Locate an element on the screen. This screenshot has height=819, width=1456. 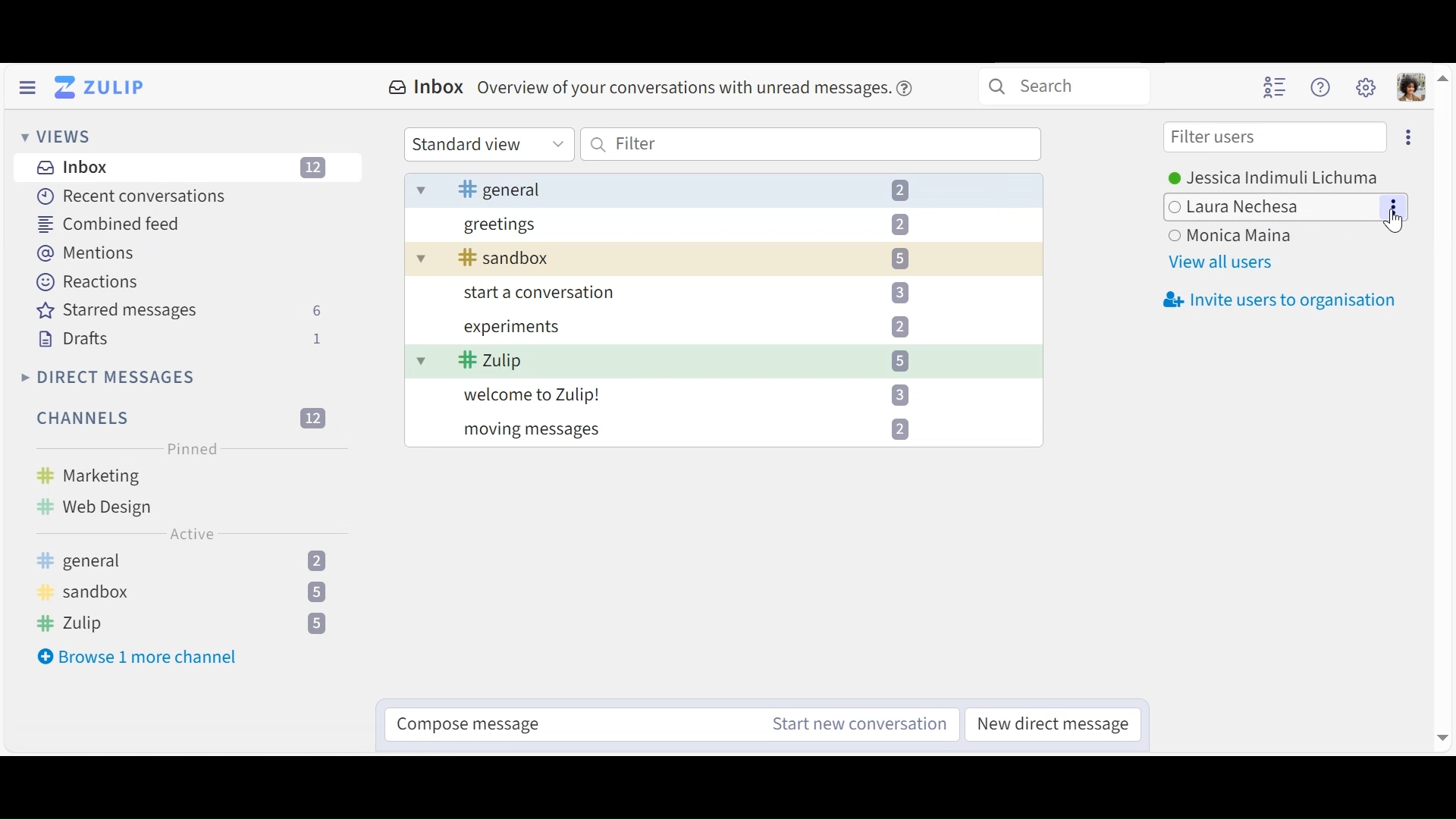
ellipses is located at coordinates (1395, 206).